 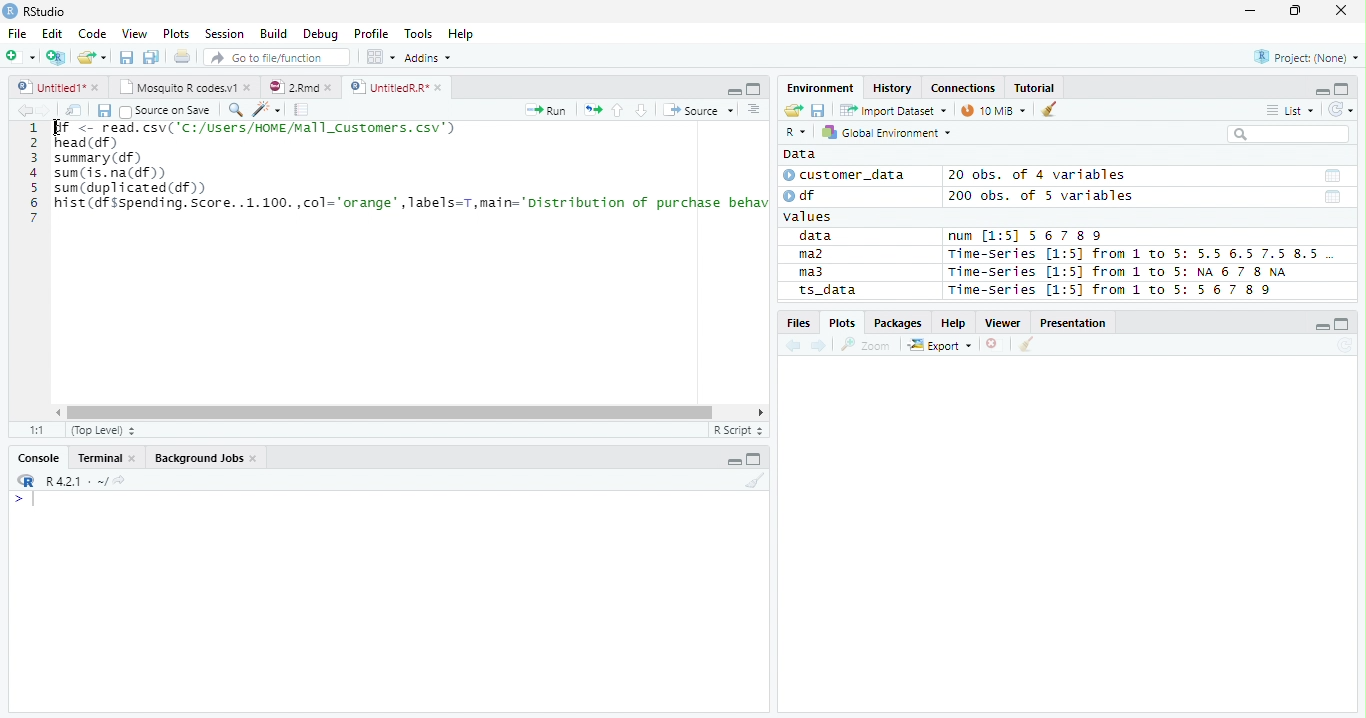 What do you see at coordinates (126, 56) in the screenshot?
I see `Save` at bounding box center [126, 56].